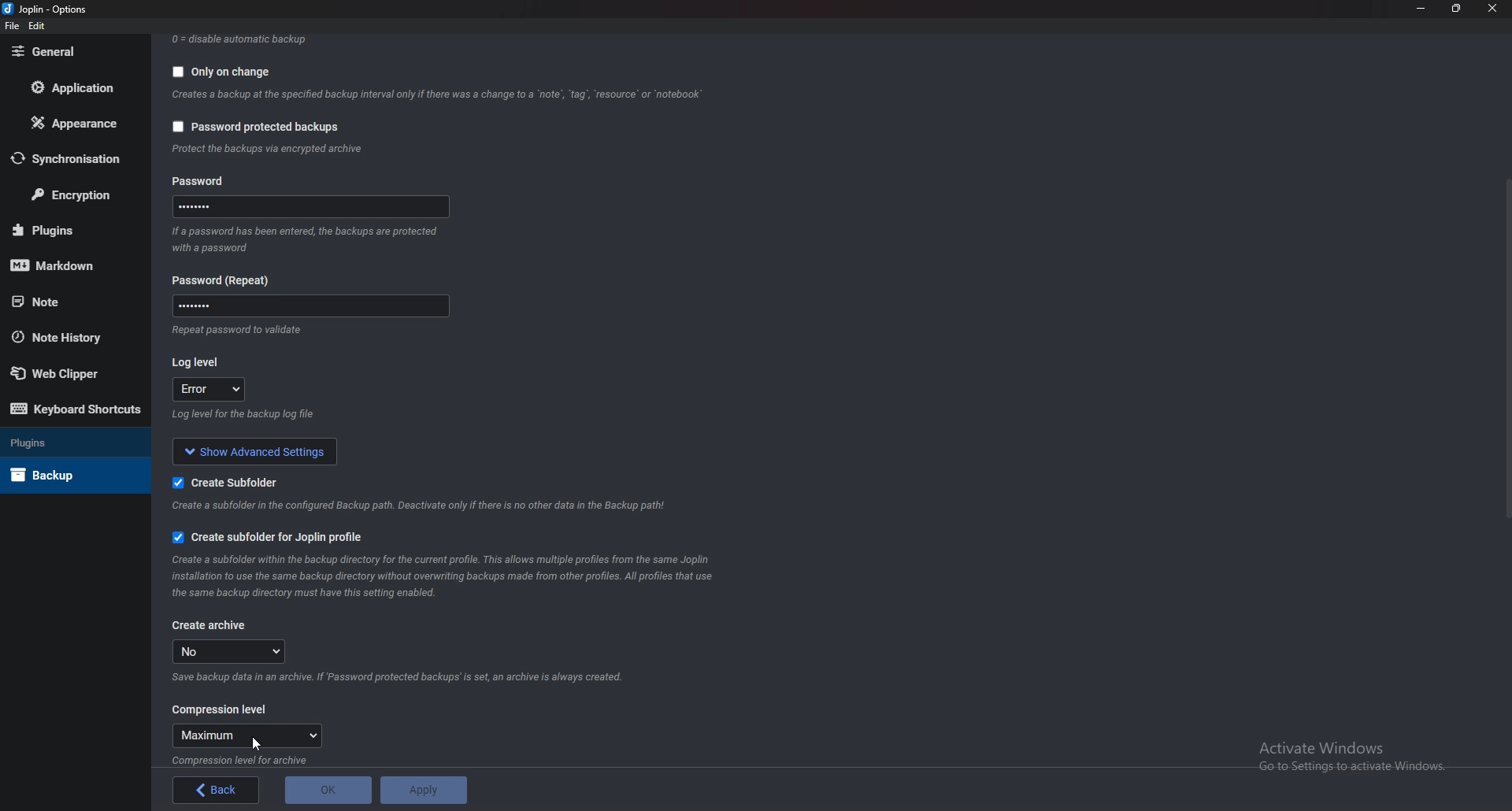  Describe the element at coordinates (207, 388) in the screenshot. I see `error` at that location.